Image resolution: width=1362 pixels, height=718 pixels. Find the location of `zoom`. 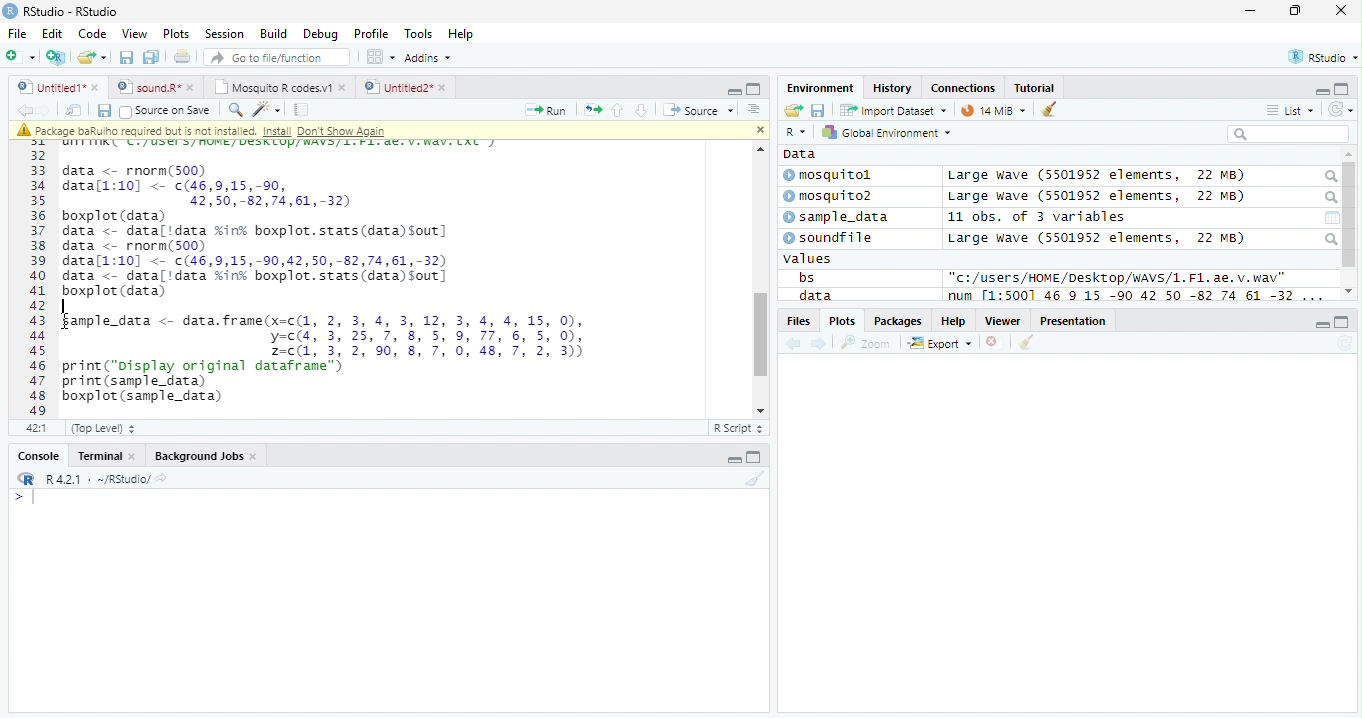

zoom is located at coordinates (866, 342).